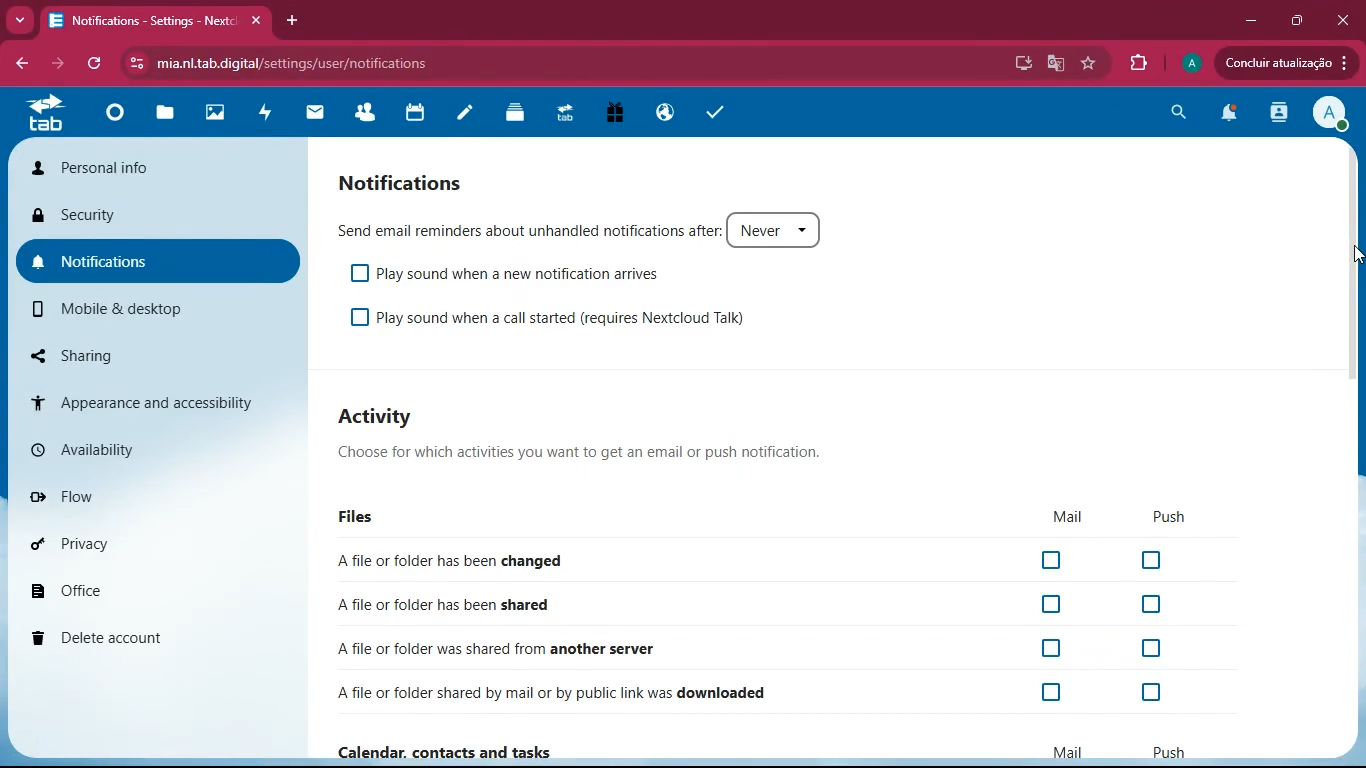 The height and width of the screenshot is (768, 1366). What do you see at coordinates (716, 113) in the screenshot?
I see `task` at bounding box center [716, 113].